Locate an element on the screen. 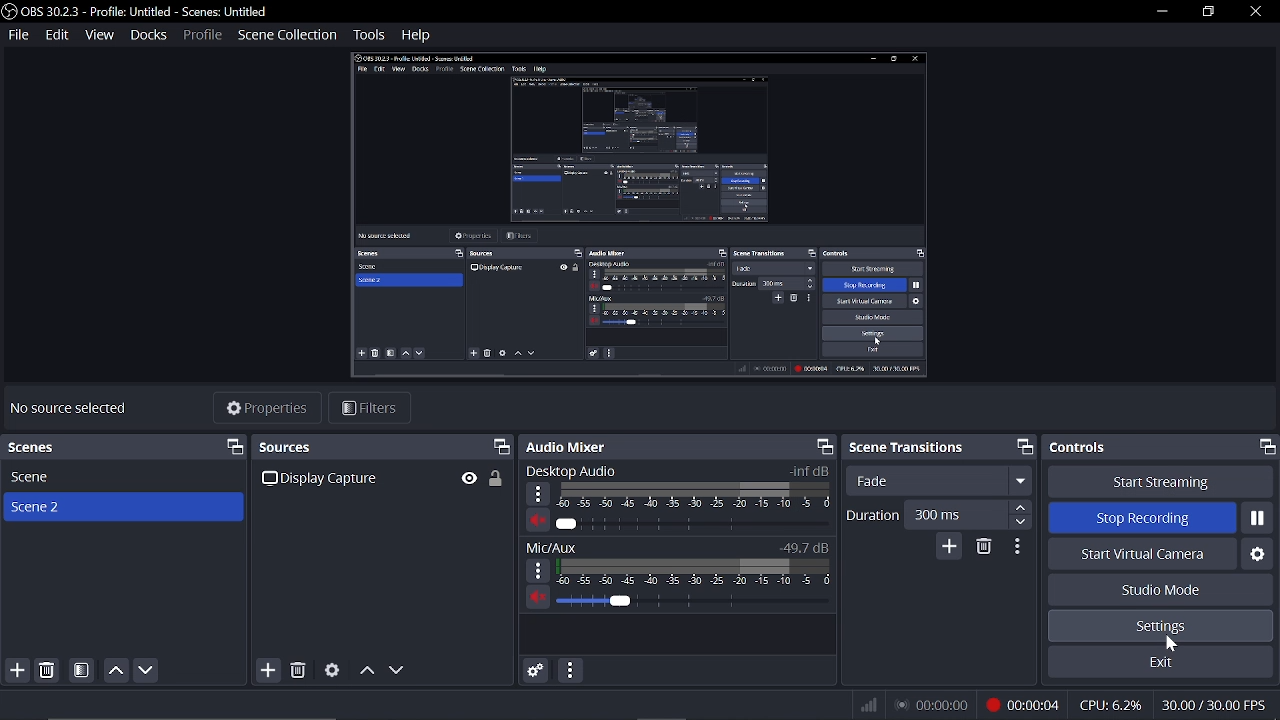 The height and width of the screenshot is (720, 1280). stop recording is located at coordinates (1159, 519).